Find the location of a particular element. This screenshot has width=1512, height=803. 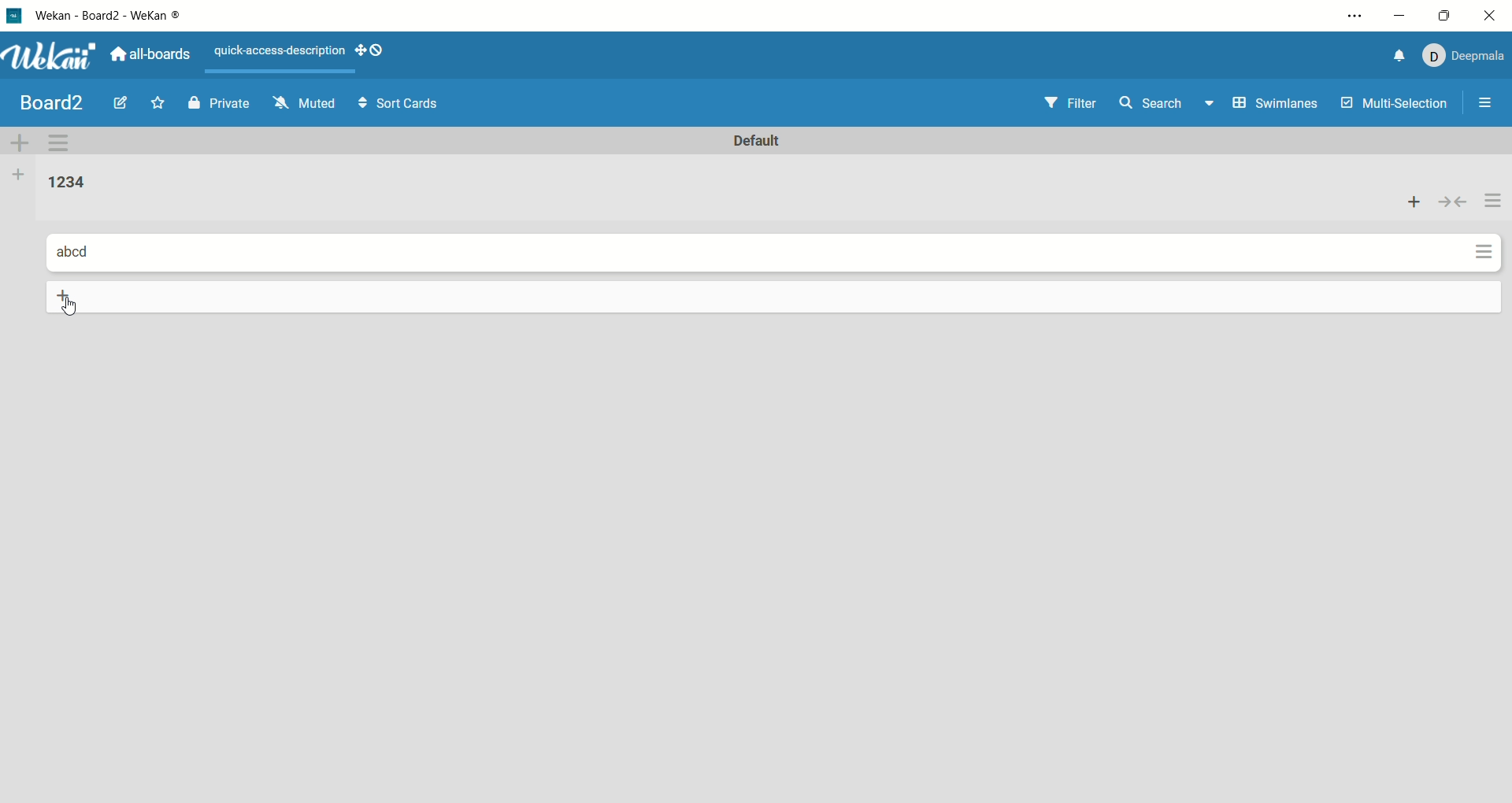

edit is located at coordinates (119, 105).